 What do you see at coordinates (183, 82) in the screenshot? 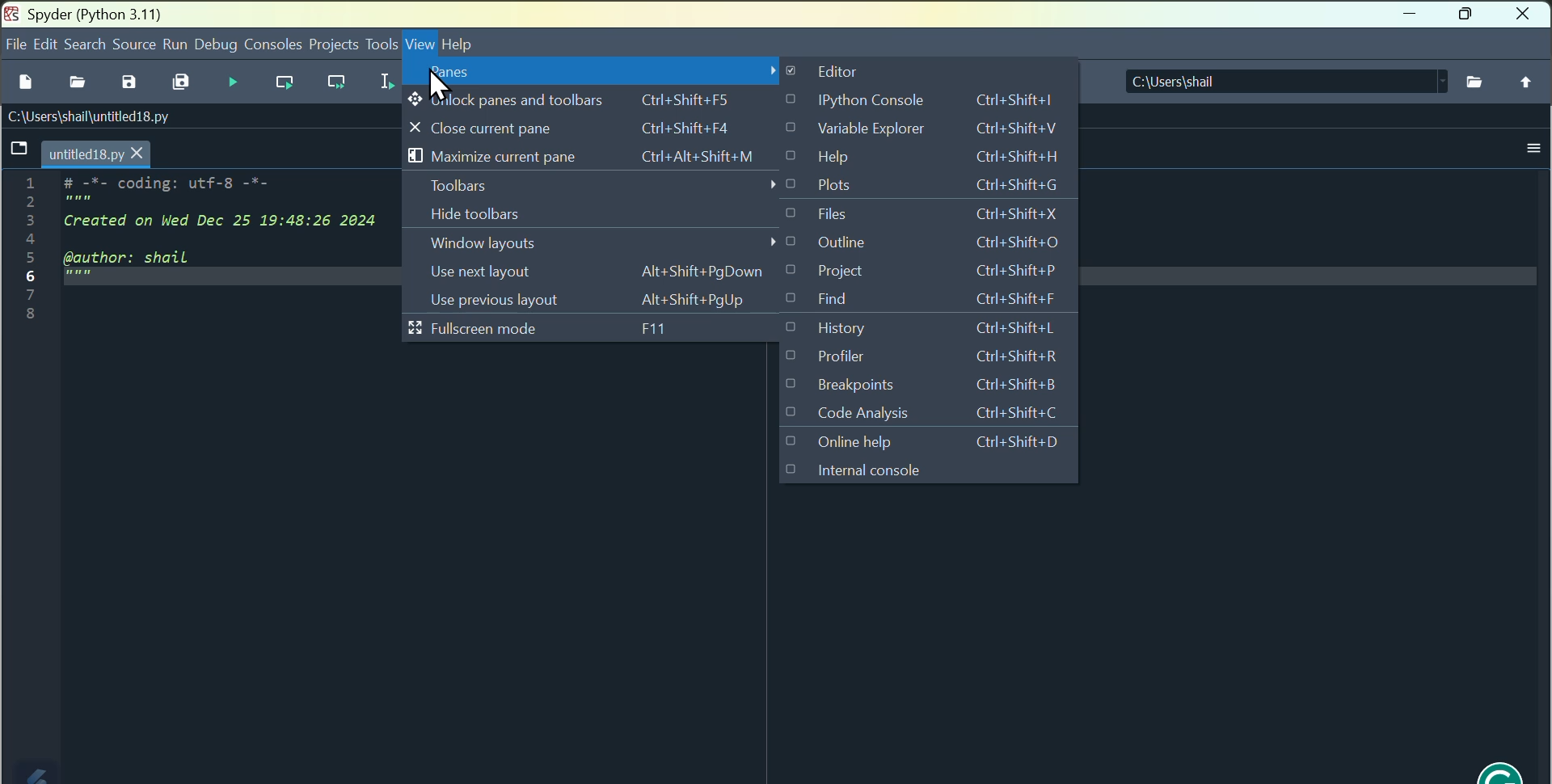
I see `Save all files` at bounding box center [183, 82].